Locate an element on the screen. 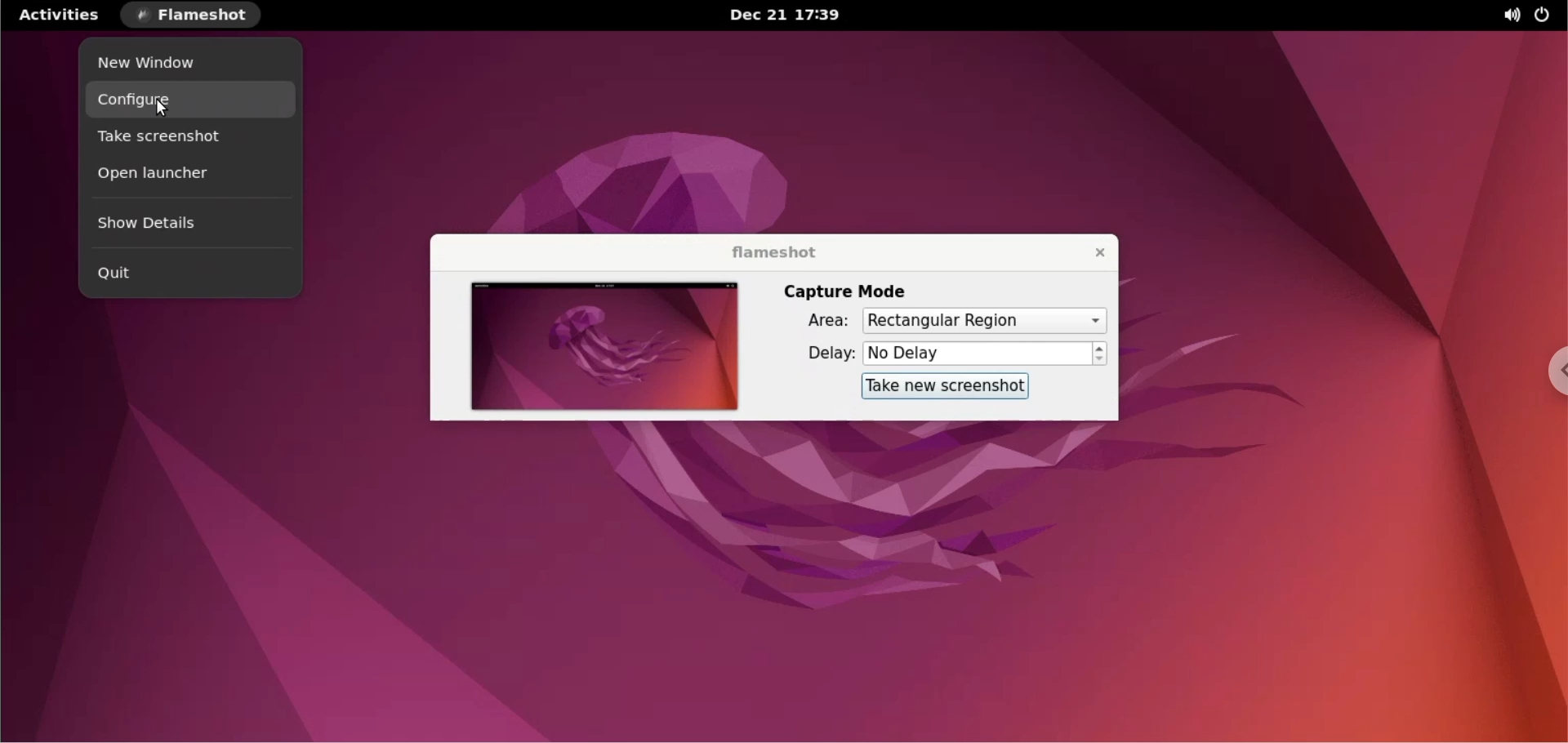 The height and width of the screenshot is (743, 1568). new window is located at coordinates (189, 62).